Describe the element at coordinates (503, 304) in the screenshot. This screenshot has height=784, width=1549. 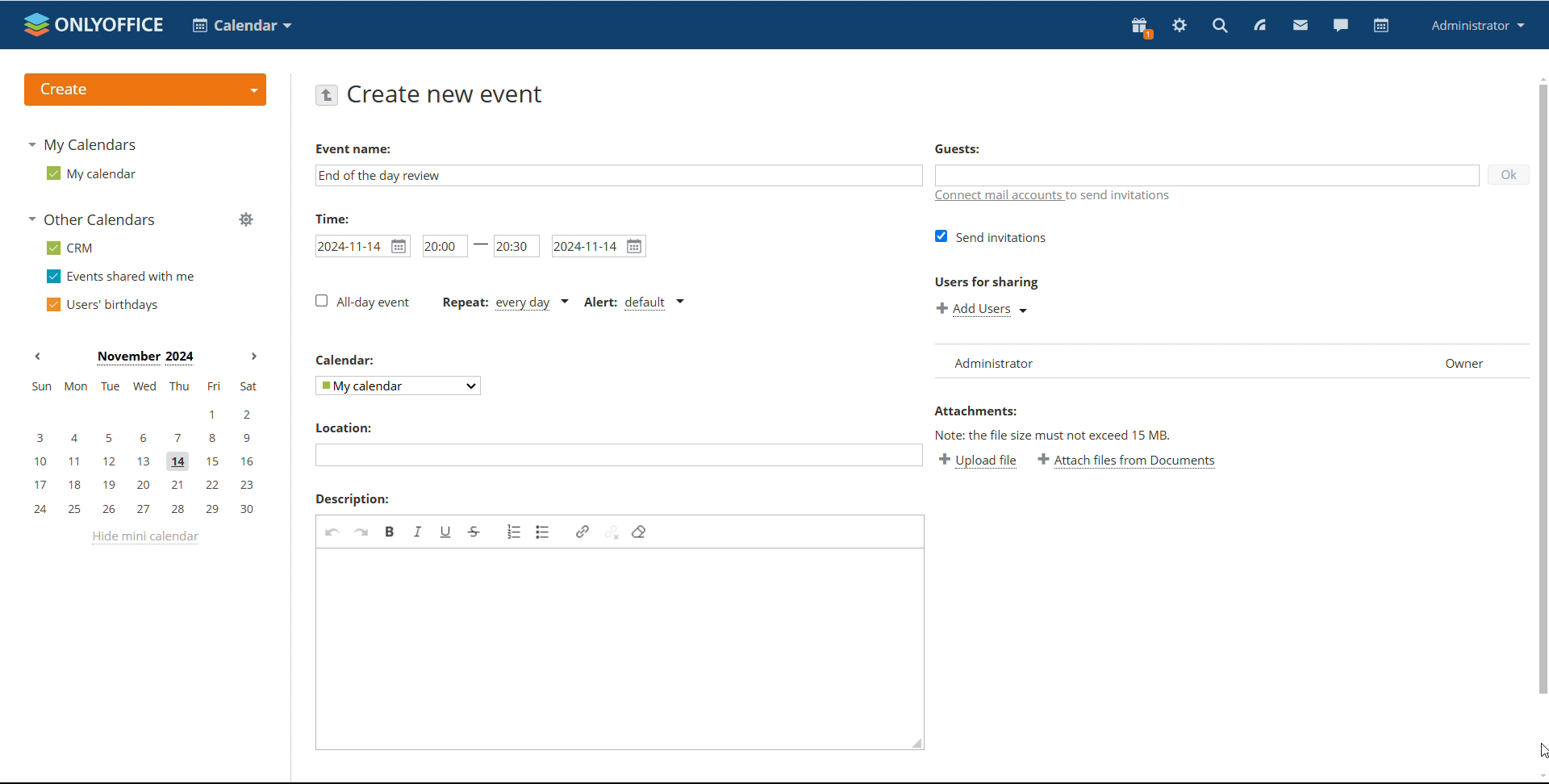
I see `event repetition set for daily` at that location.